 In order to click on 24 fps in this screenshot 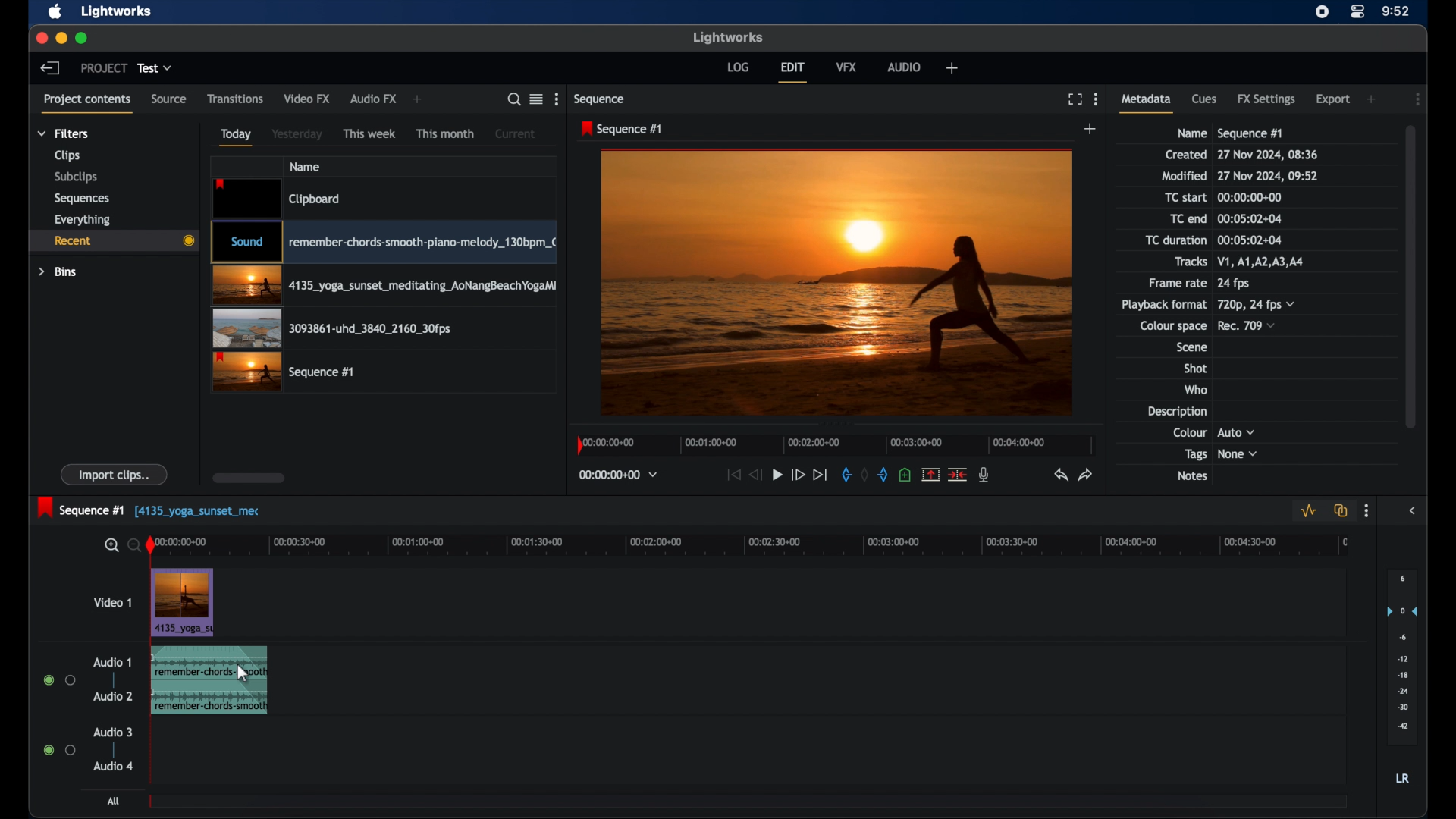, I will do `click(1234, 284)`.